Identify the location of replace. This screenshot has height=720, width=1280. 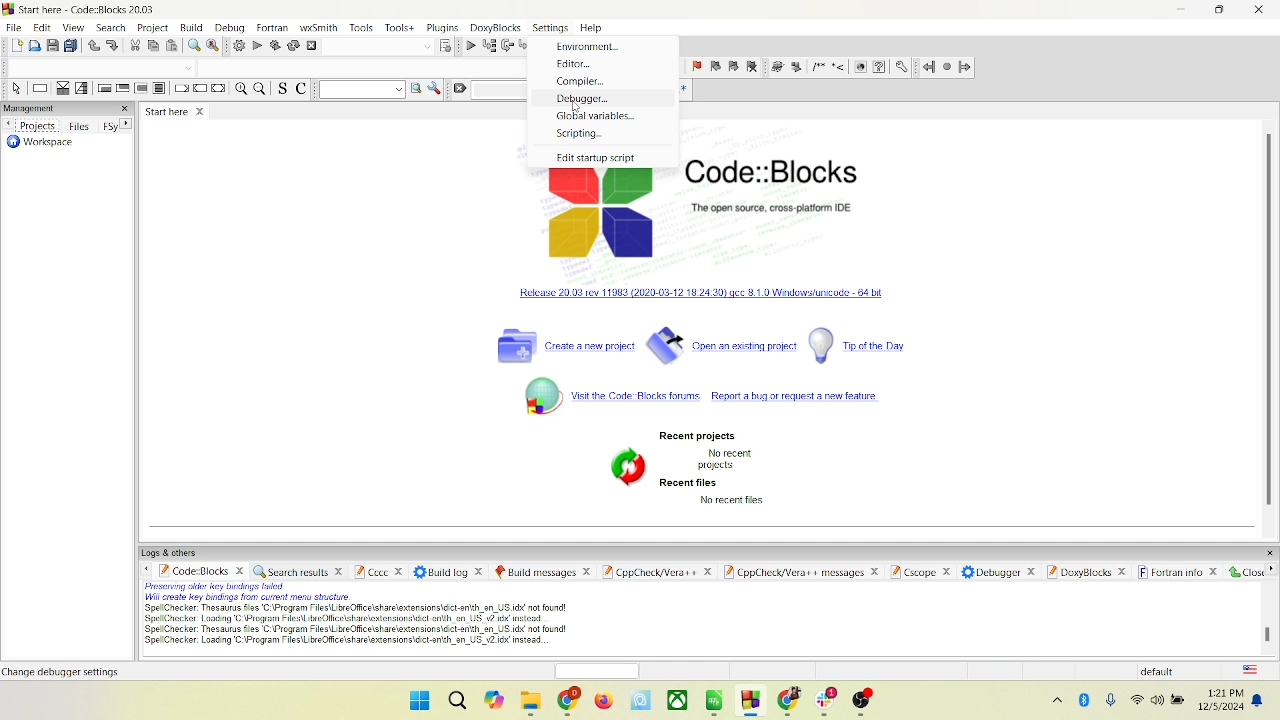
(212, 45).